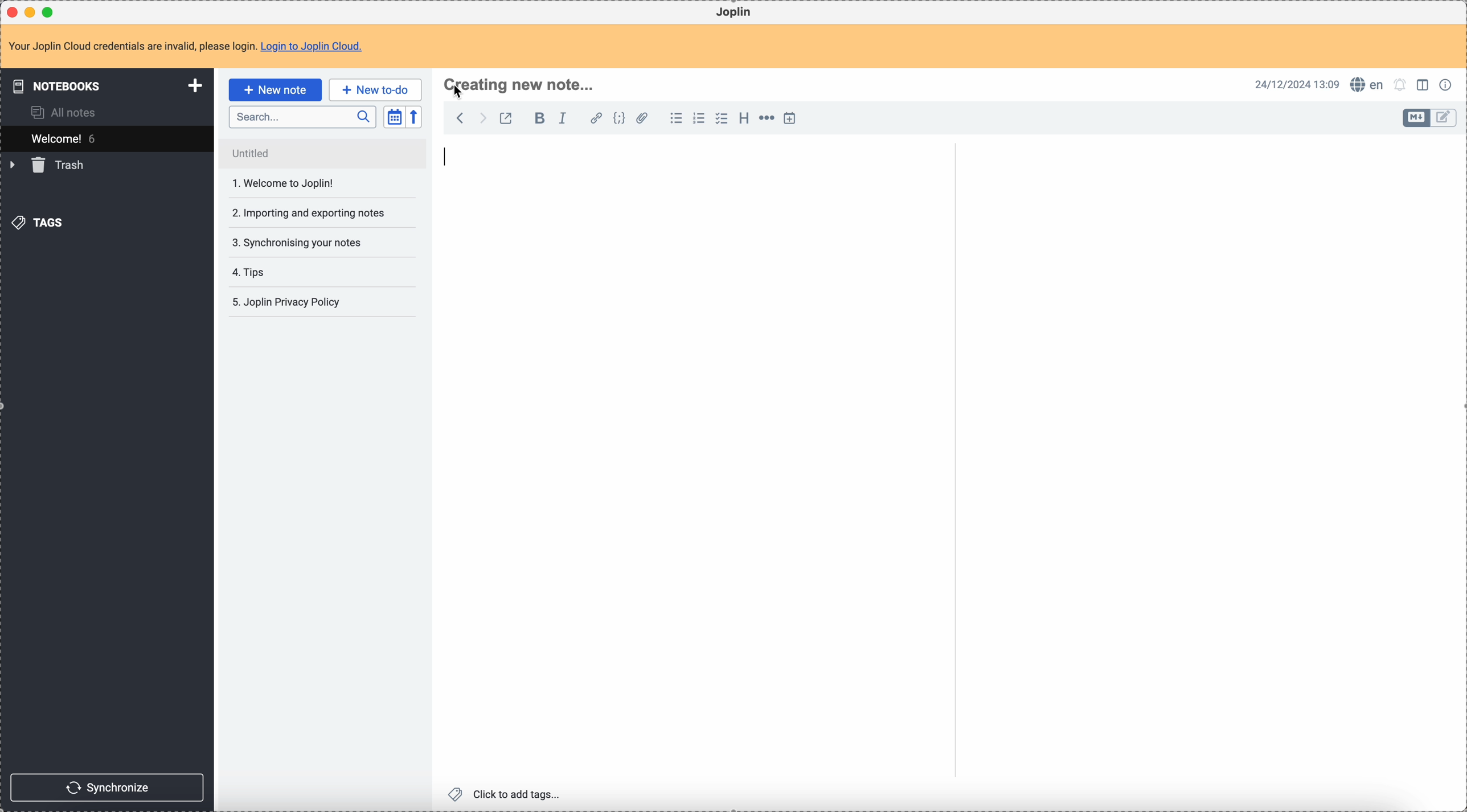  What do you see at coordinates (524, 85) in the screenshot?
I see `title` at bounding box center [524, 85].